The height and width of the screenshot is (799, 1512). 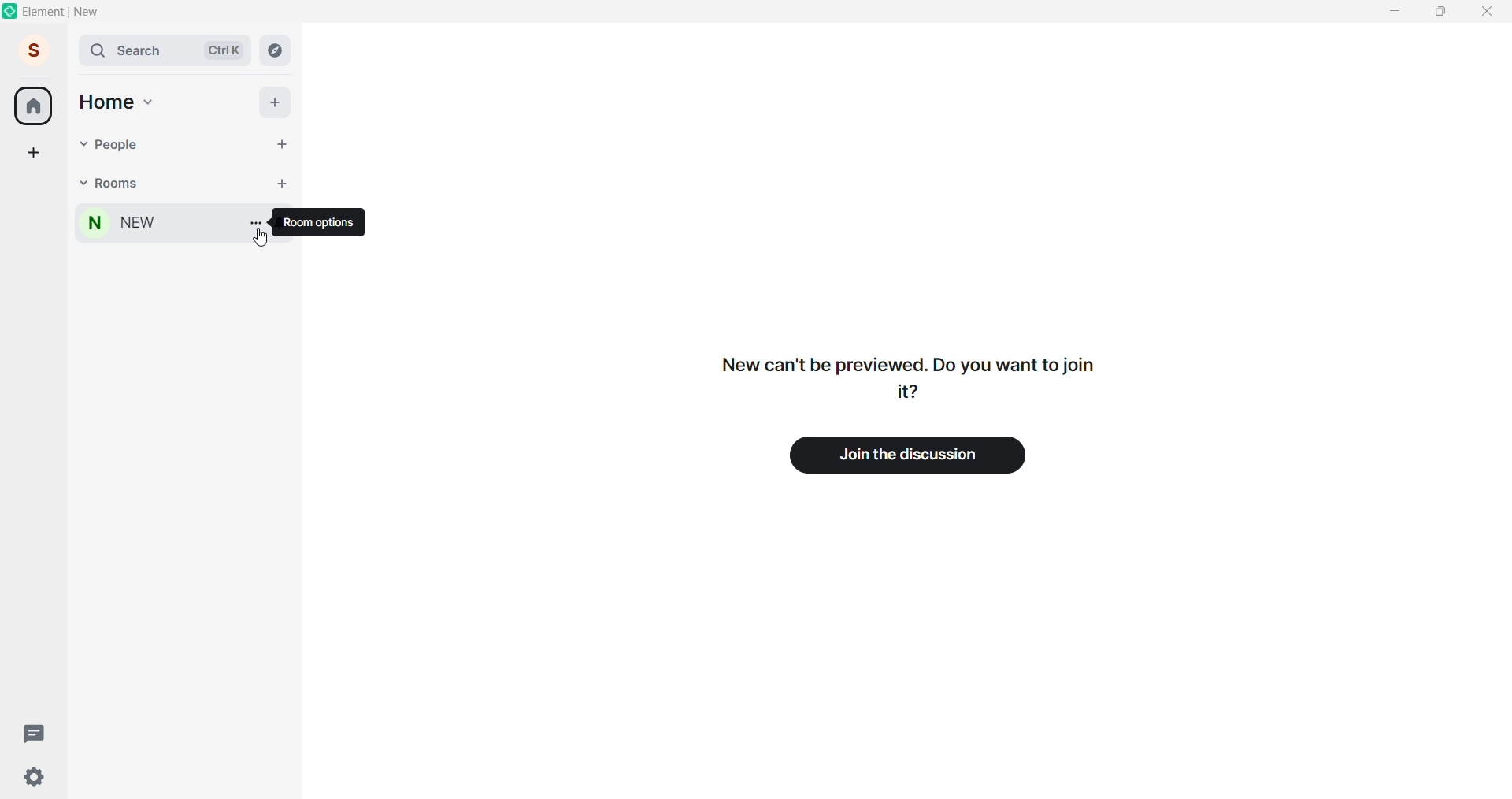 I want to click on rooms, so click(x=114, y=185).